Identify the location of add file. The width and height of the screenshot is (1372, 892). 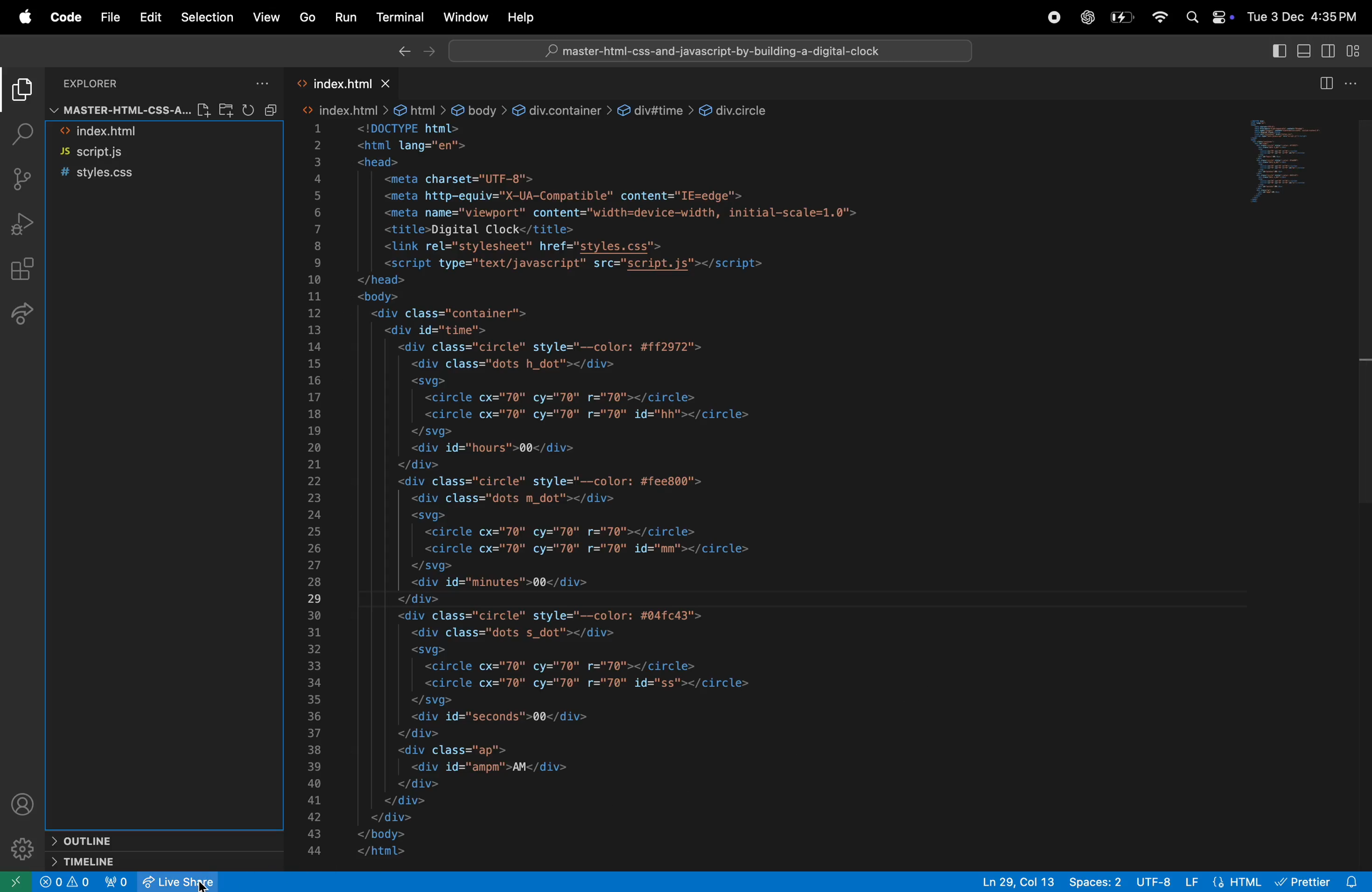
(200, 110).